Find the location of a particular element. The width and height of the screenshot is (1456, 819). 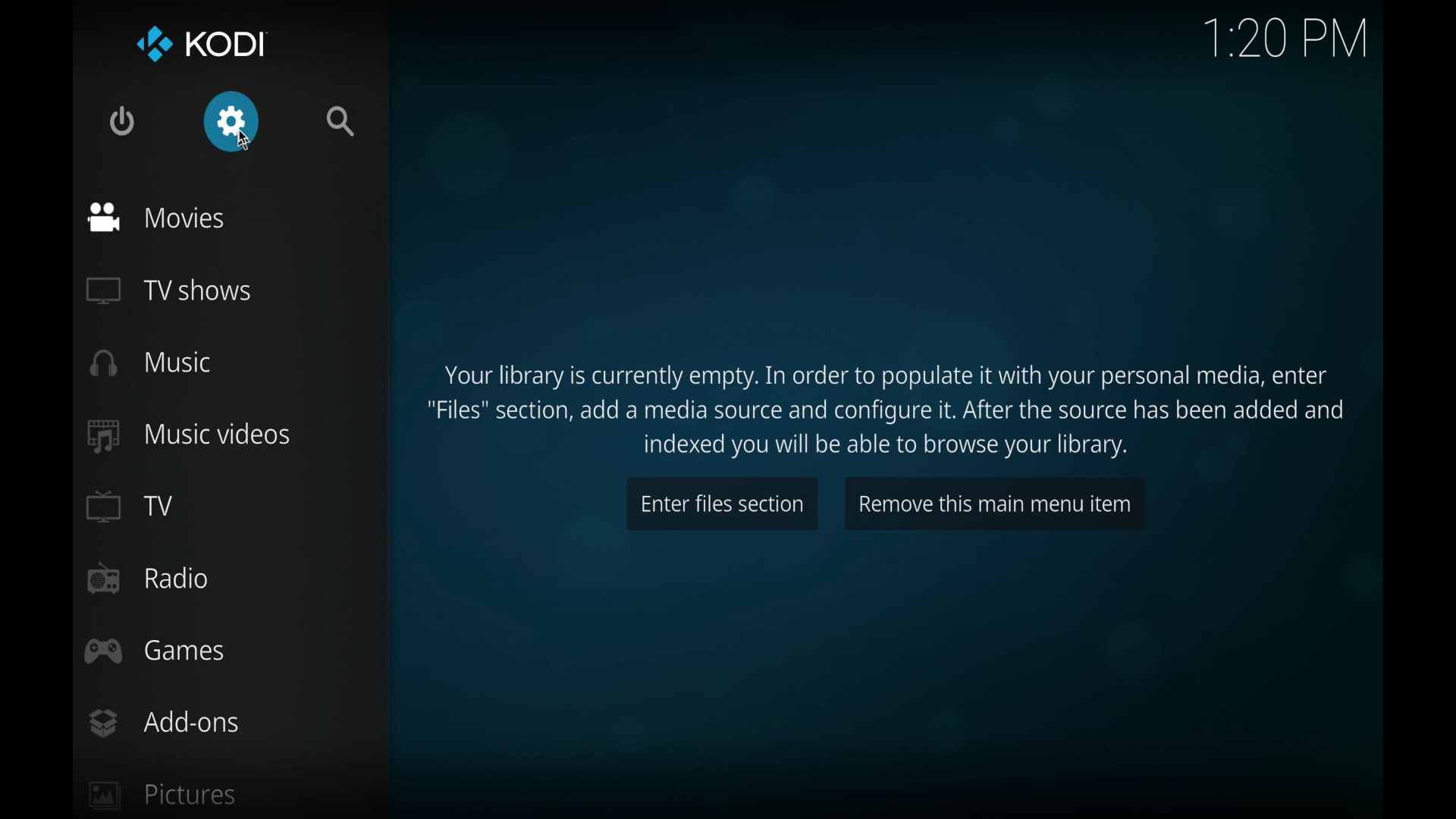

movies is located at coordinates (155, 217).